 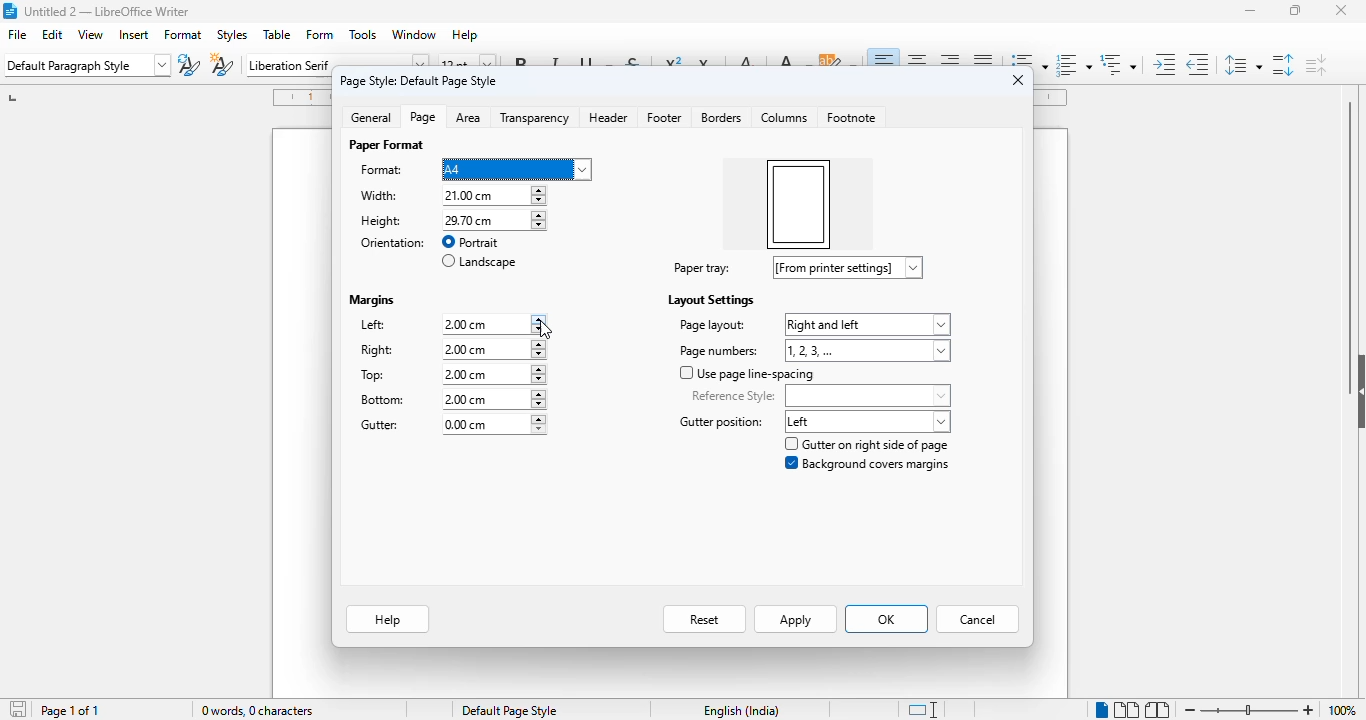 I want to click on edit, so click(x=53, y=34).